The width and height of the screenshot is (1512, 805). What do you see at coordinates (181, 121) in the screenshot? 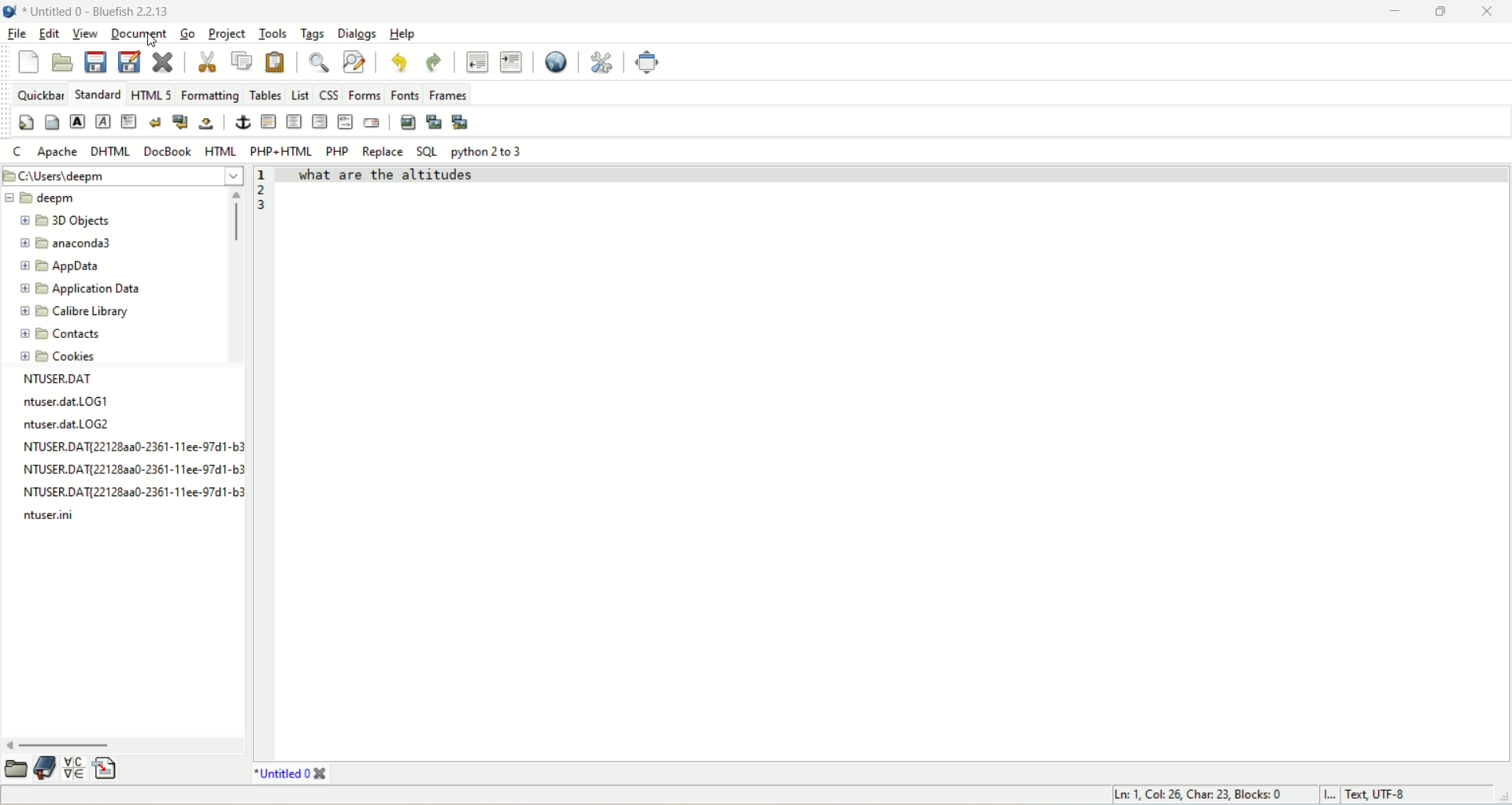
I see `break and clear` at bounding box center [181, 121].